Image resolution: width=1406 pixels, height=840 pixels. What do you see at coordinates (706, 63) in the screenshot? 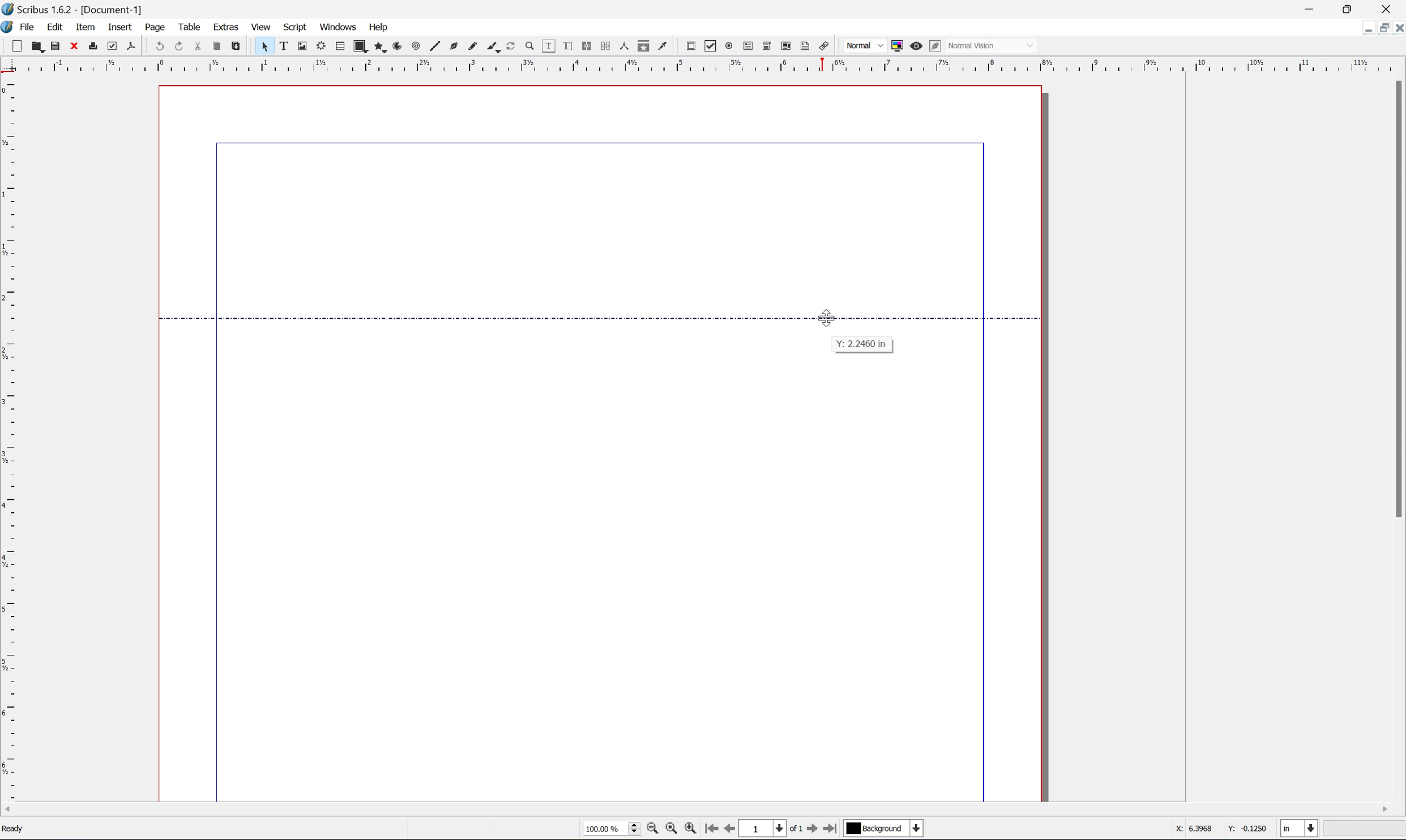
I see `ruler` at bounding box center [706, 63].